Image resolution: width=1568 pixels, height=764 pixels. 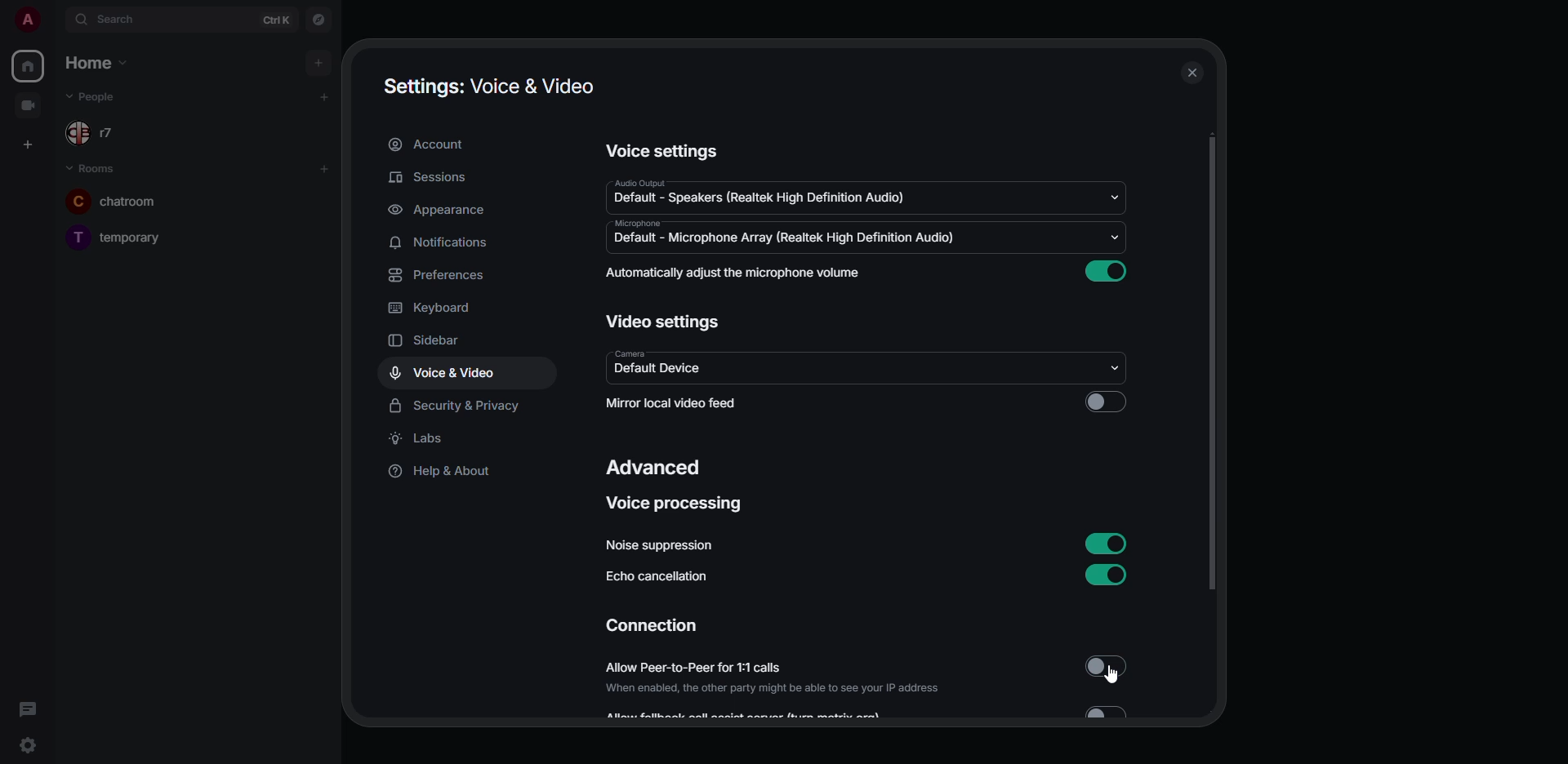 I want to click on default, so click(x=763, y=199).